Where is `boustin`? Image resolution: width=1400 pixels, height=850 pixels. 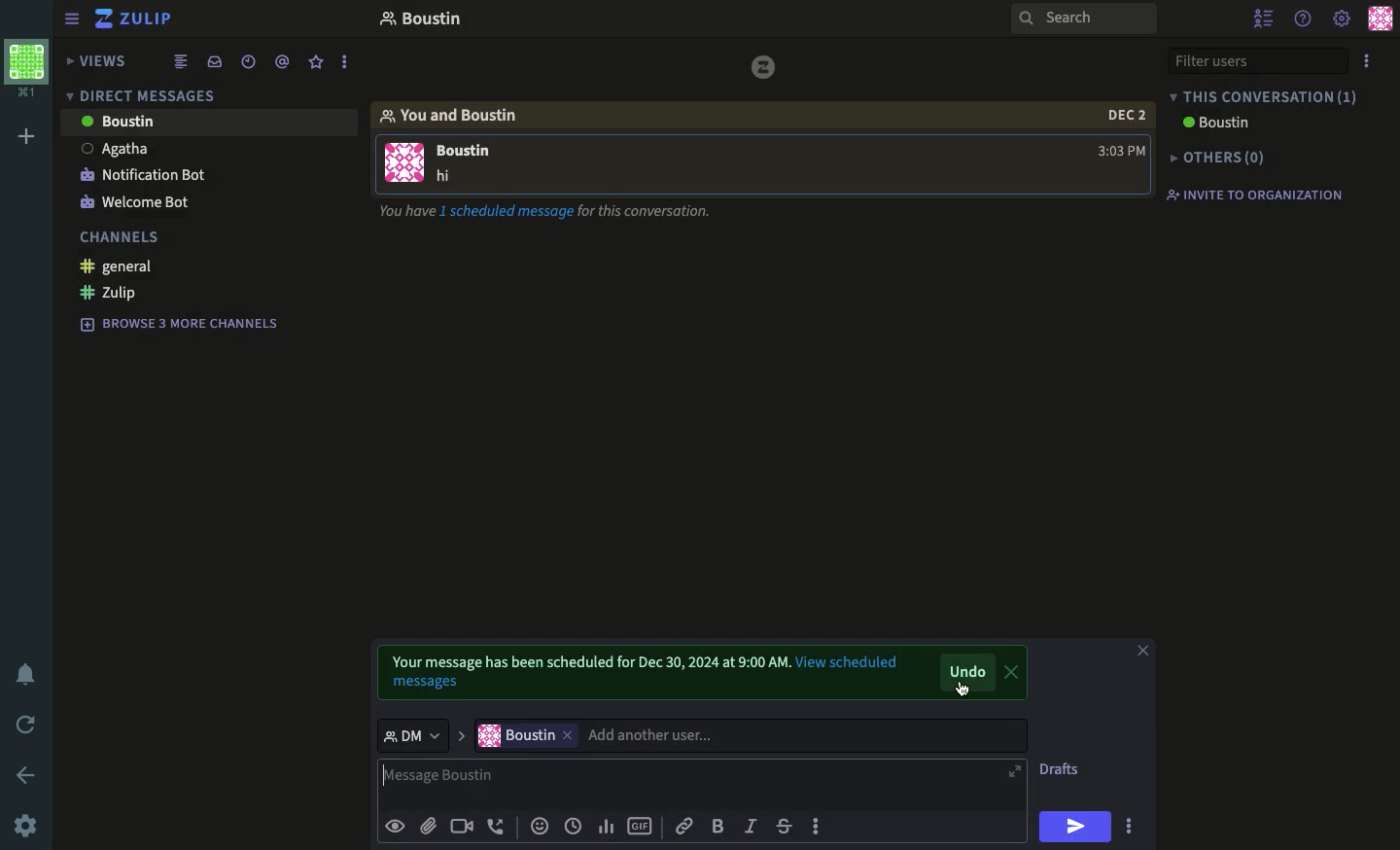
boustin is located at coordinates (514, 736).